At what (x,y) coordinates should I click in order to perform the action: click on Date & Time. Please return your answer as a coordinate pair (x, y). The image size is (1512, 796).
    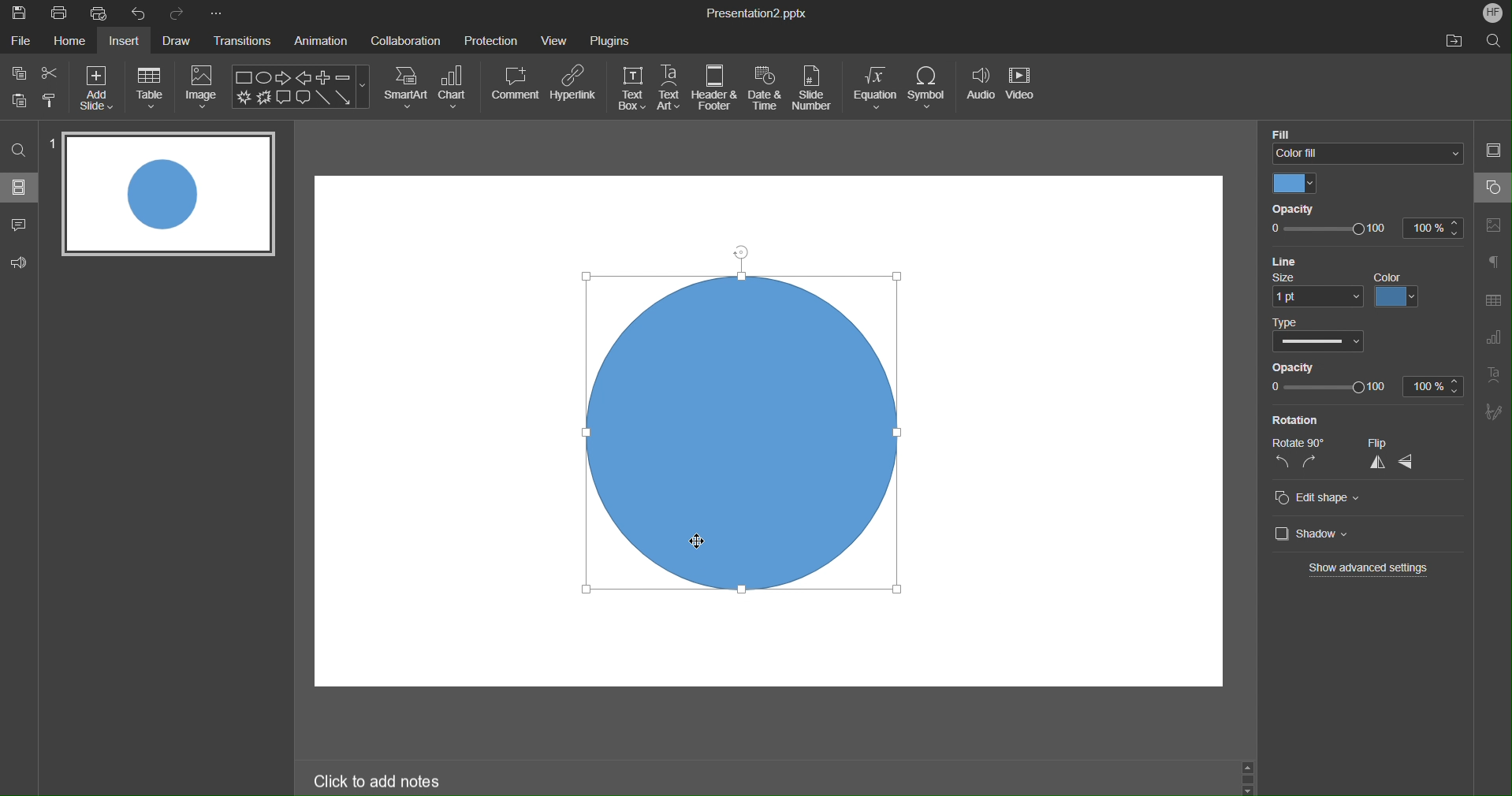
    Looking at the image, I should click on (765, 88).